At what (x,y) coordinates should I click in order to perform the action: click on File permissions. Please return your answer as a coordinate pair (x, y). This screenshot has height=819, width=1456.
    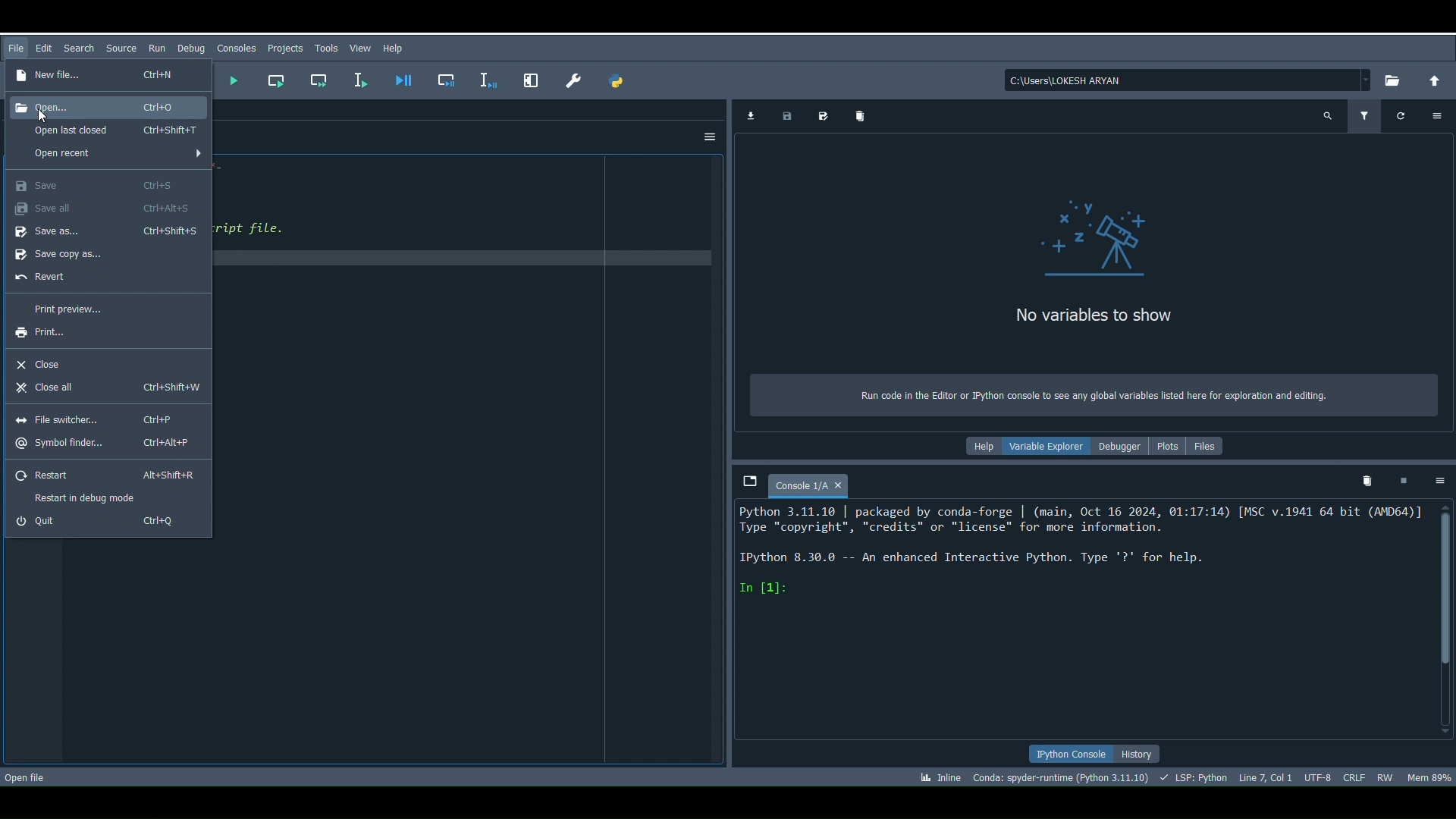
    Looking at the image, I should click on (1382, 777).